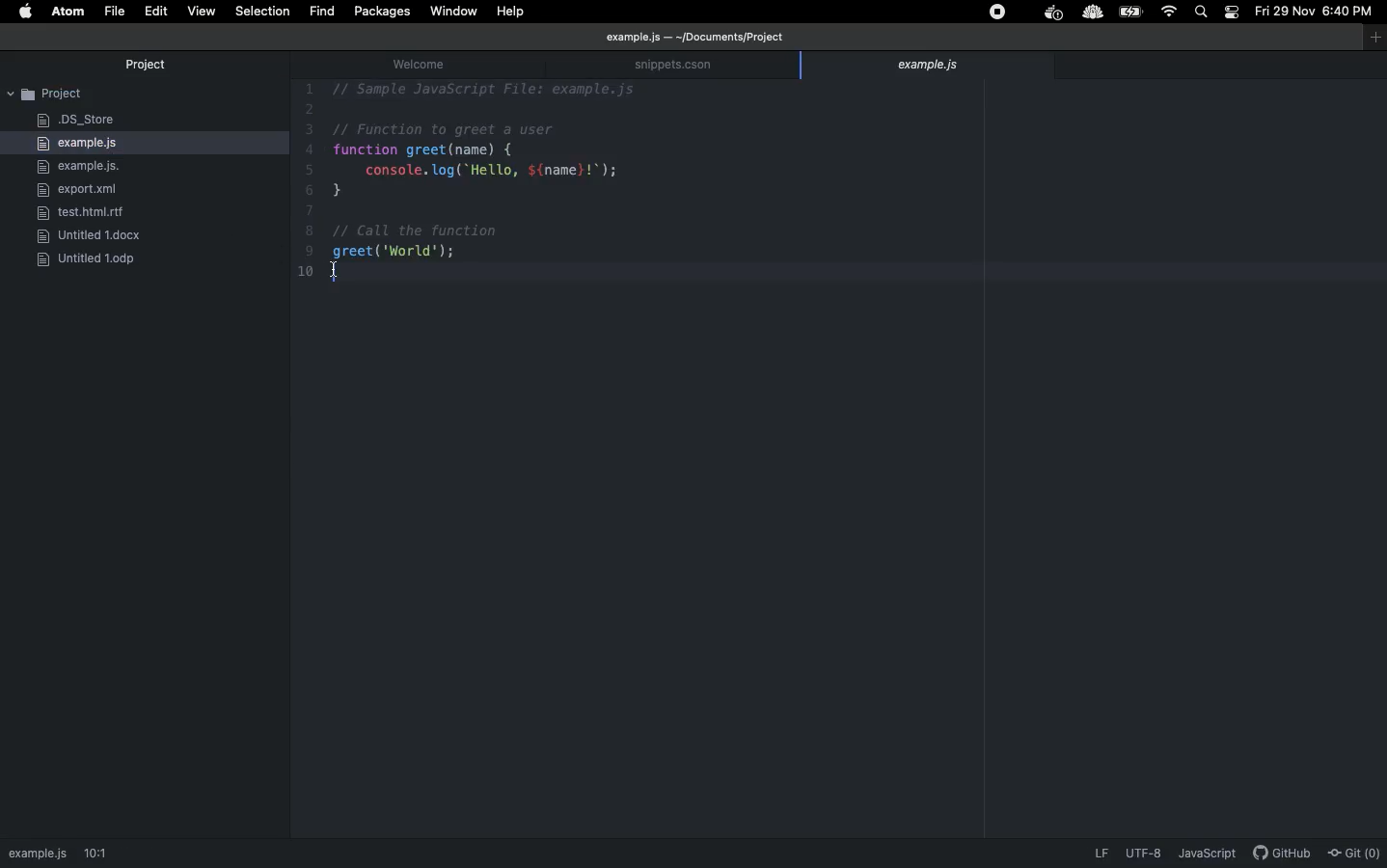 The image size is (1387, 868). What do you see at coordinates (80, 191) in the screenshot?
I see `export.xml` at bounding box center [80, 191].